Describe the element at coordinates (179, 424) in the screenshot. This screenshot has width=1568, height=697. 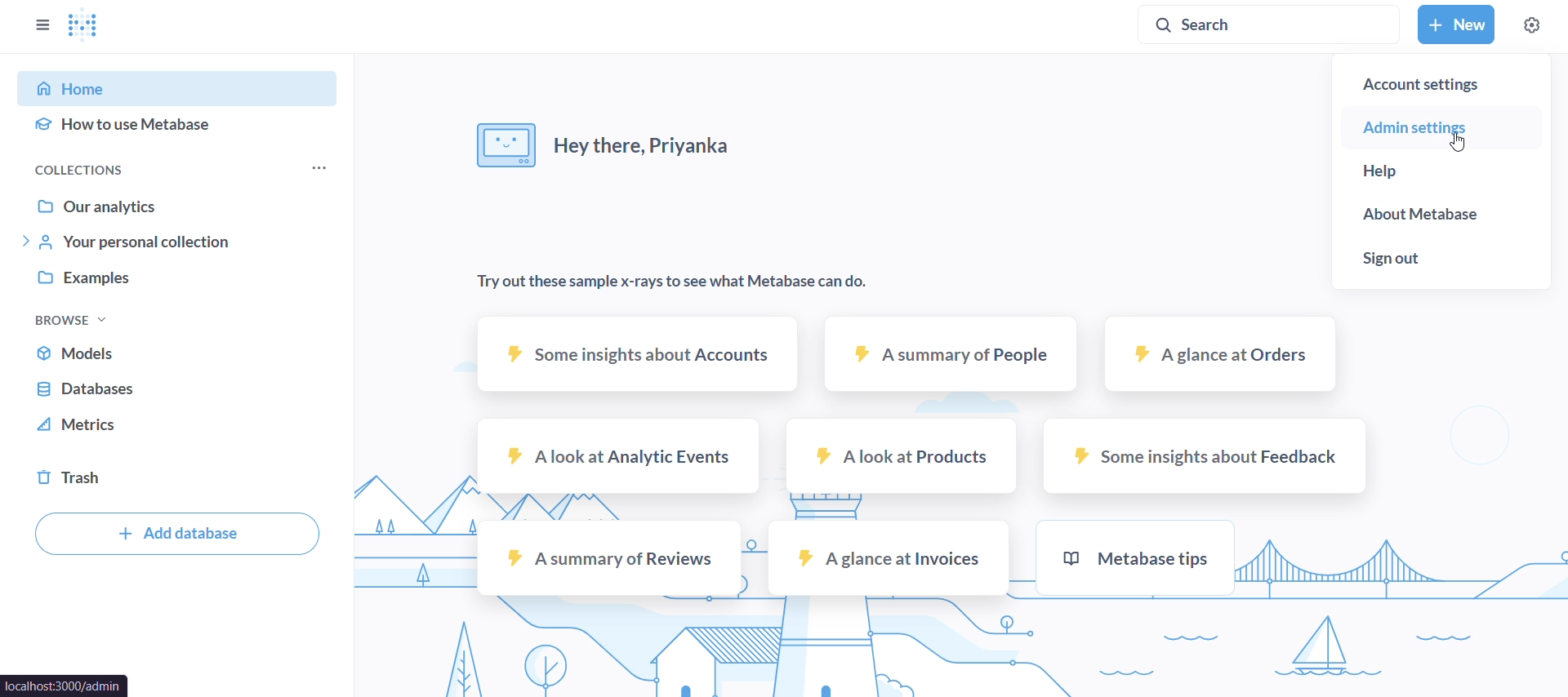
I see `metrics` at that location.